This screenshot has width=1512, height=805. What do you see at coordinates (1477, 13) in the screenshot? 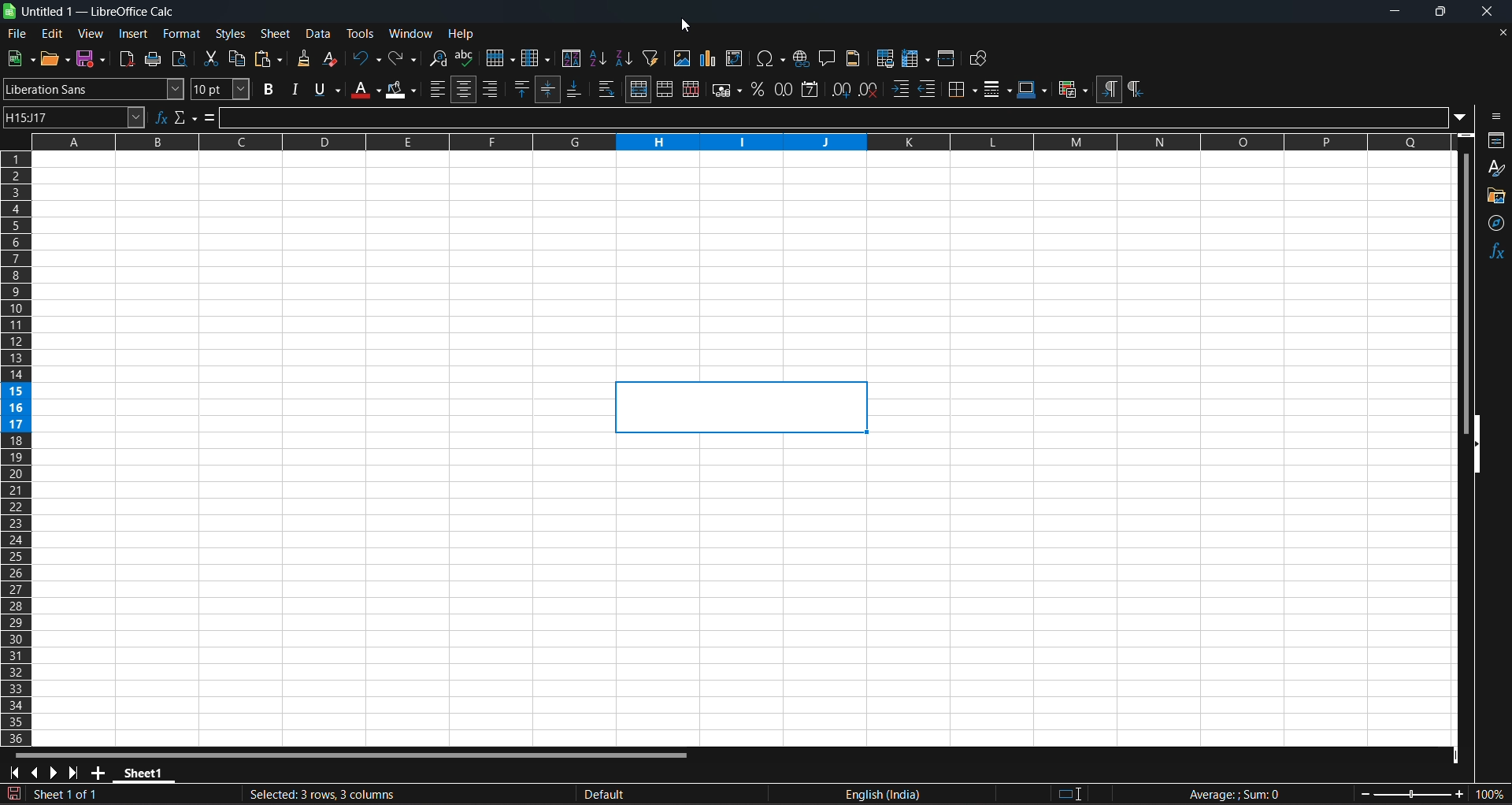
I see `close` at bounding box center [1477, 13].